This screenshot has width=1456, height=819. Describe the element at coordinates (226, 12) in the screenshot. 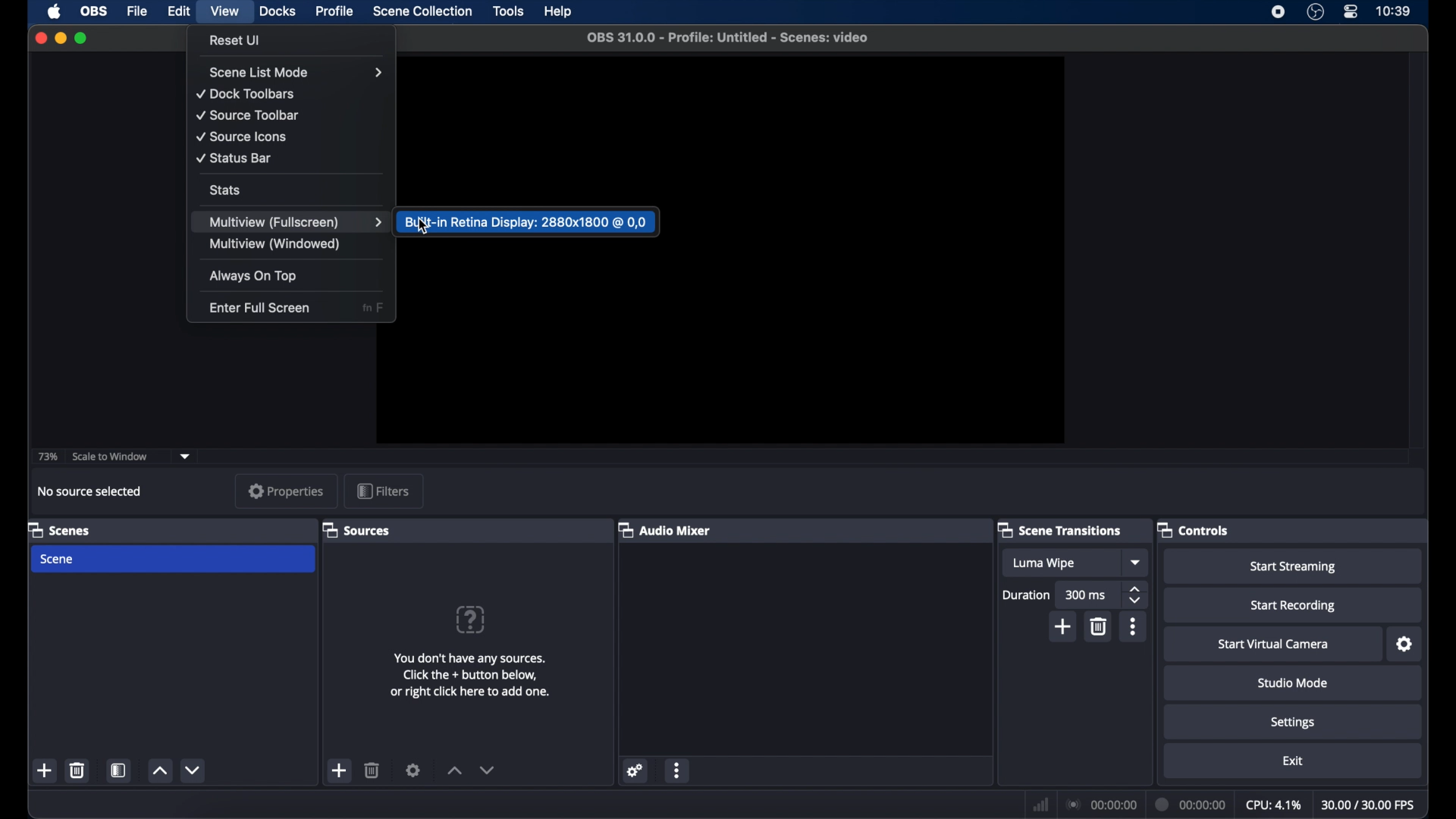

I see `view` at that location.